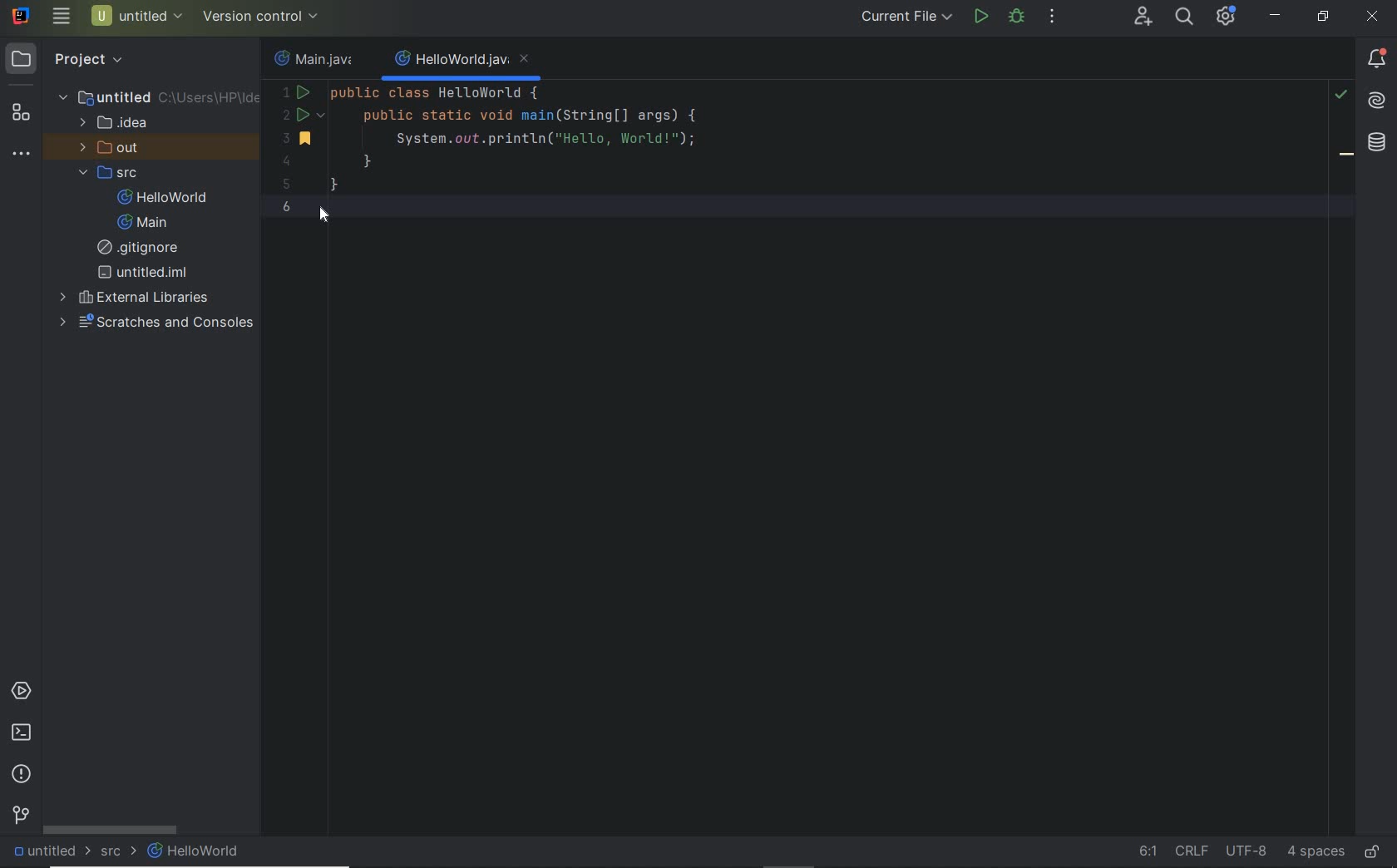 The image size is (1397, 868). Describe the element at coordinates (1316, 854) in the screenshot. I see `indent` at that location.